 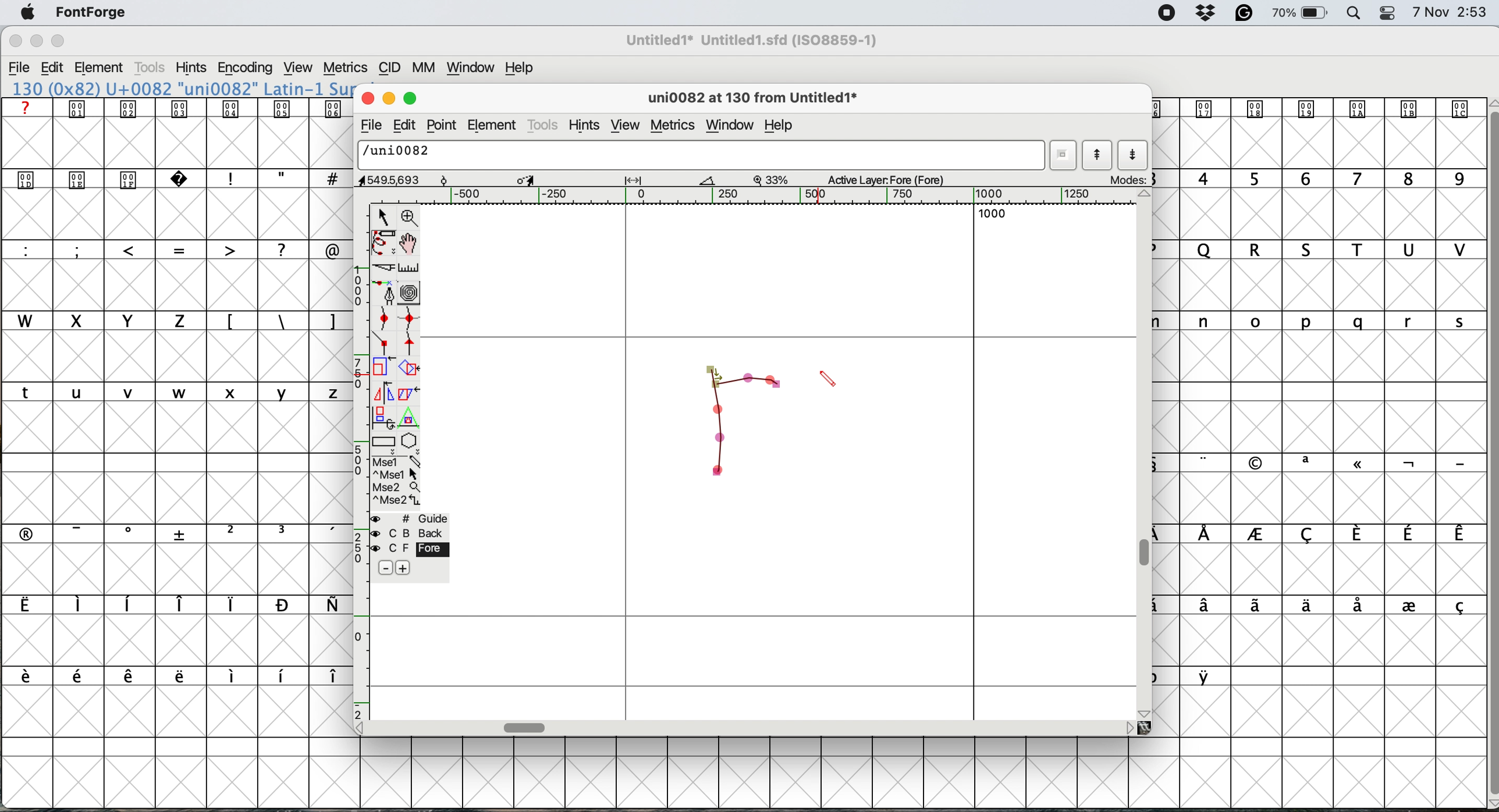 I want to click on remove, so click(x=382, y=568).